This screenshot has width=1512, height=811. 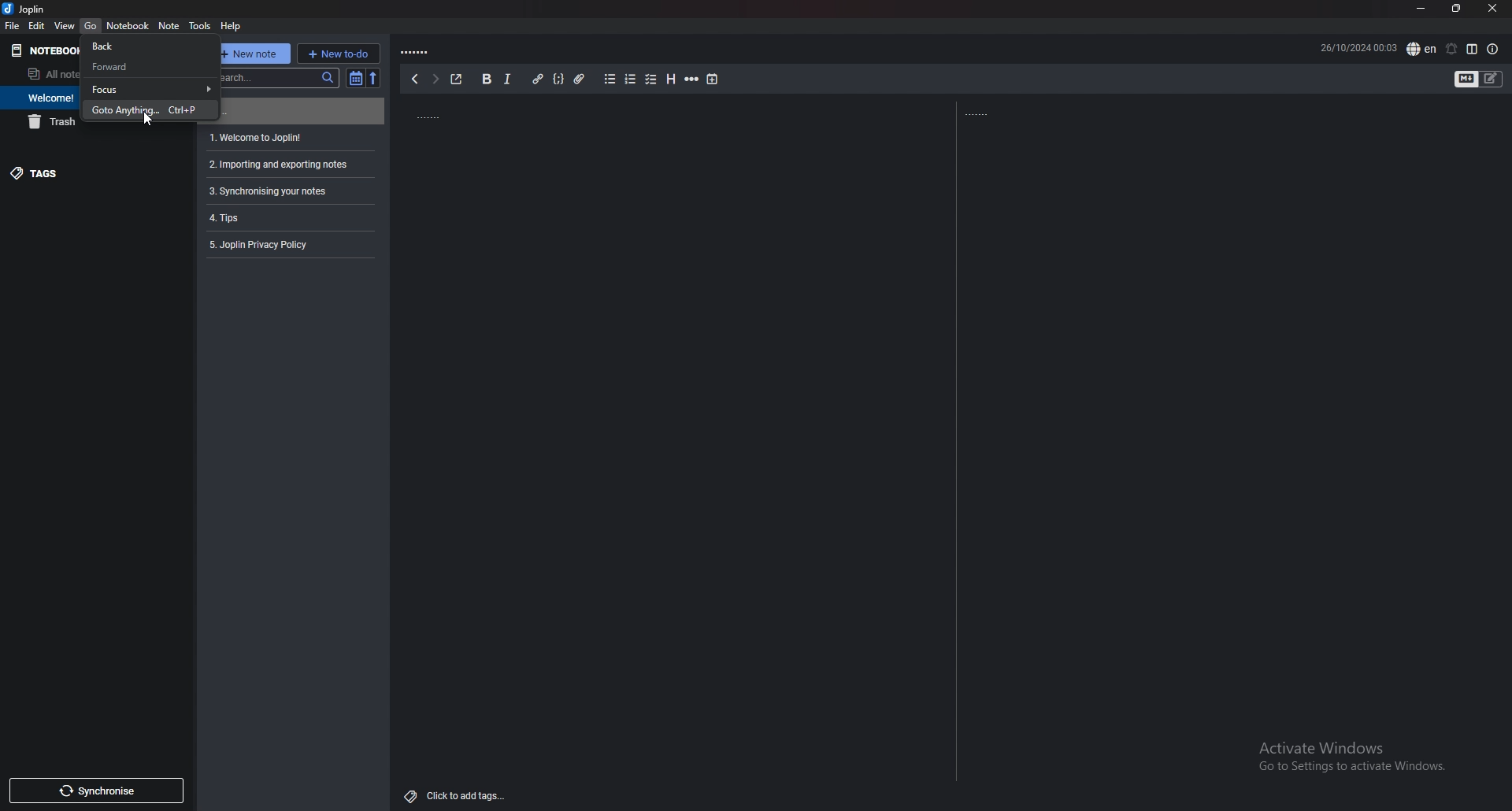 I want to click on new note, so click(x=253, y=54).